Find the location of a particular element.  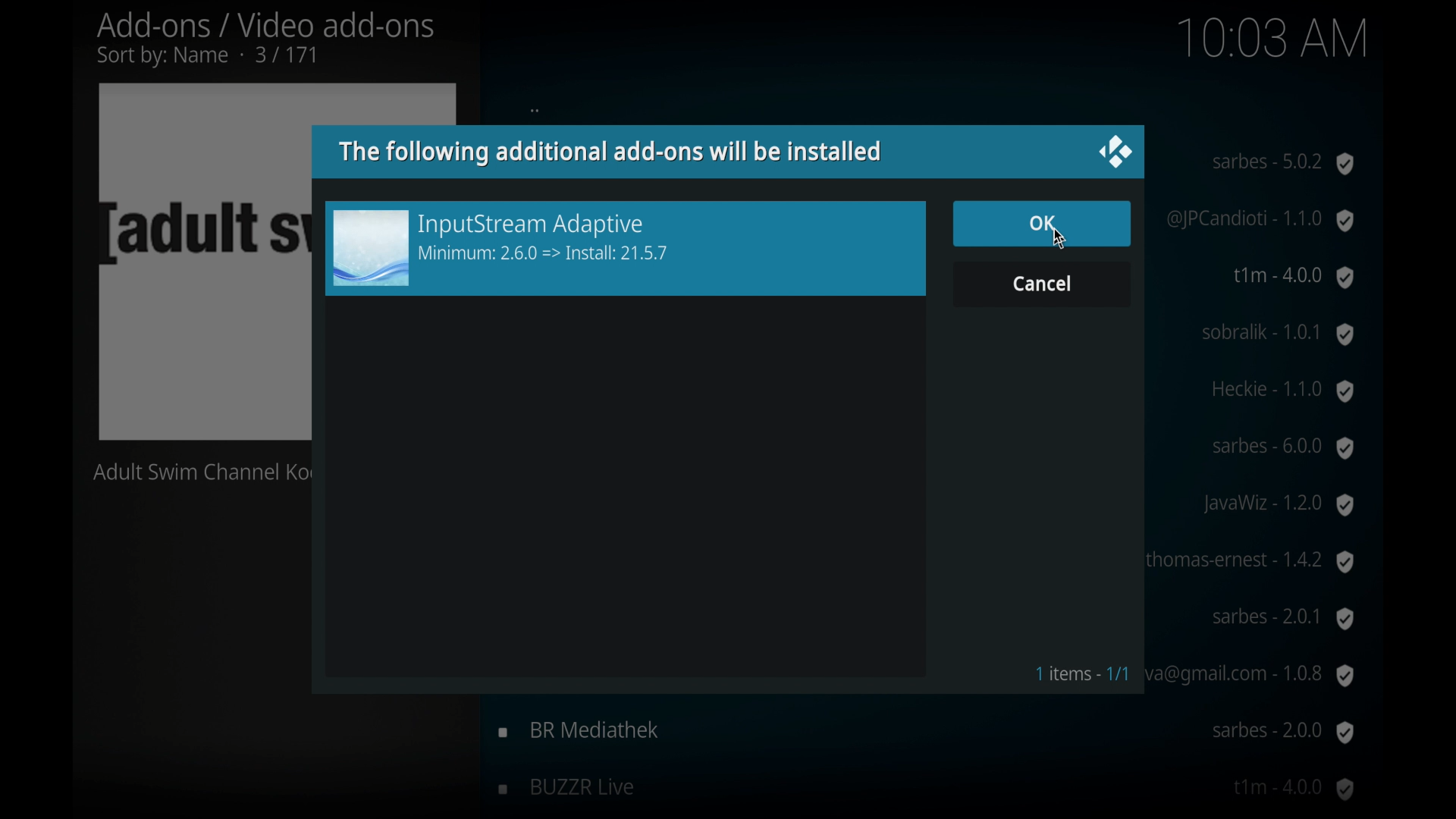

add-on preview is located at coordinates (629, 249).